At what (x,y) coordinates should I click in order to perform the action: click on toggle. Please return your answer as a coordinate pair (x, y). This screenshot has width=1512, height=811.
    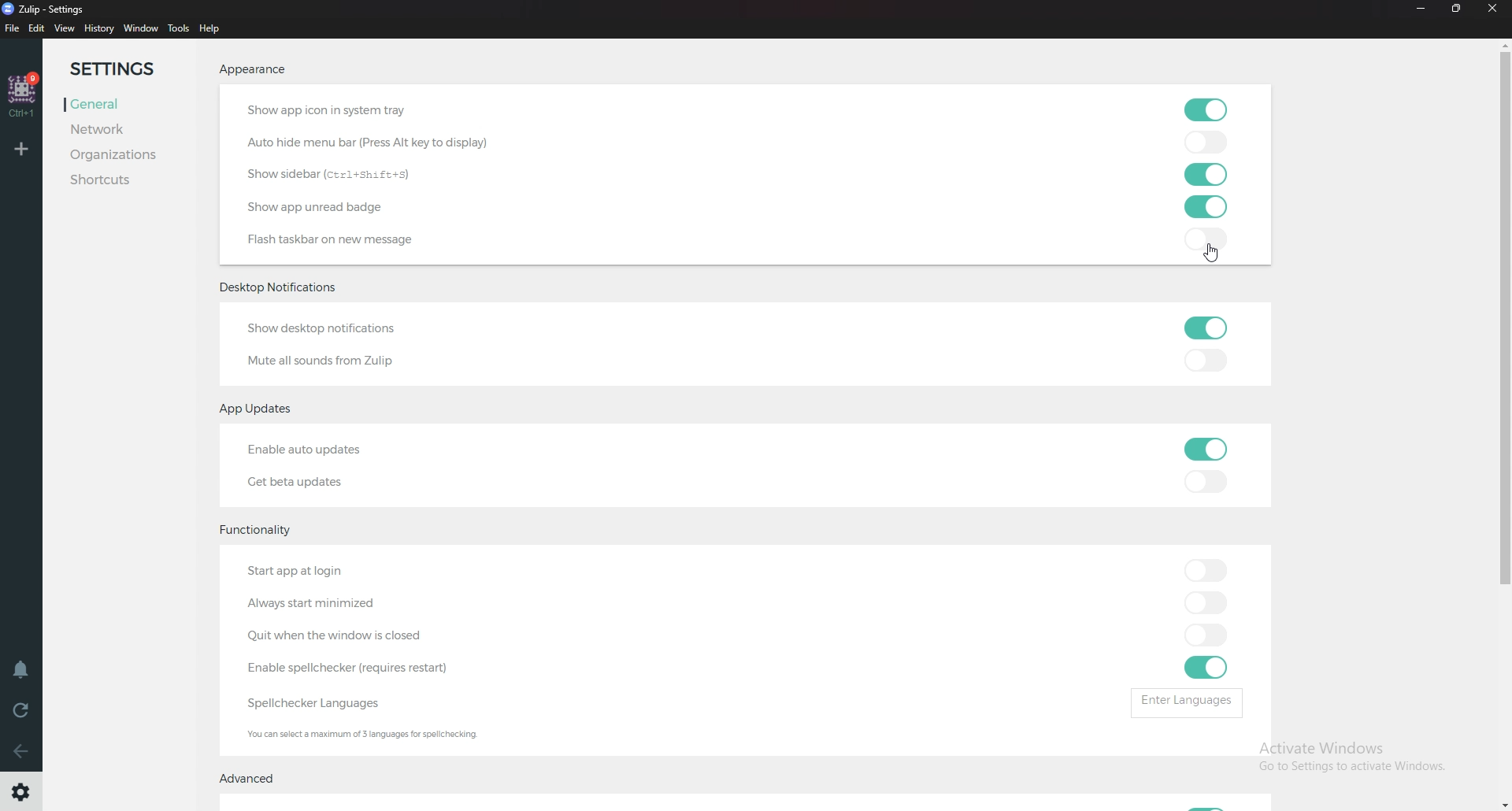
    Looking at the image, I should click on (1206, 636).